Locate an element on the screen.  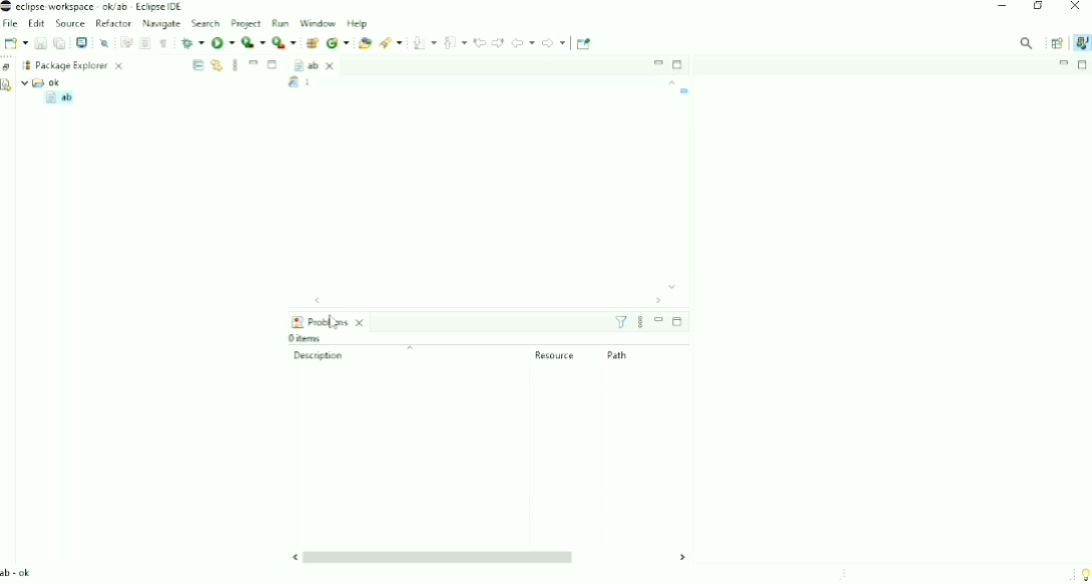
ab is located at coordinates (315, 66).